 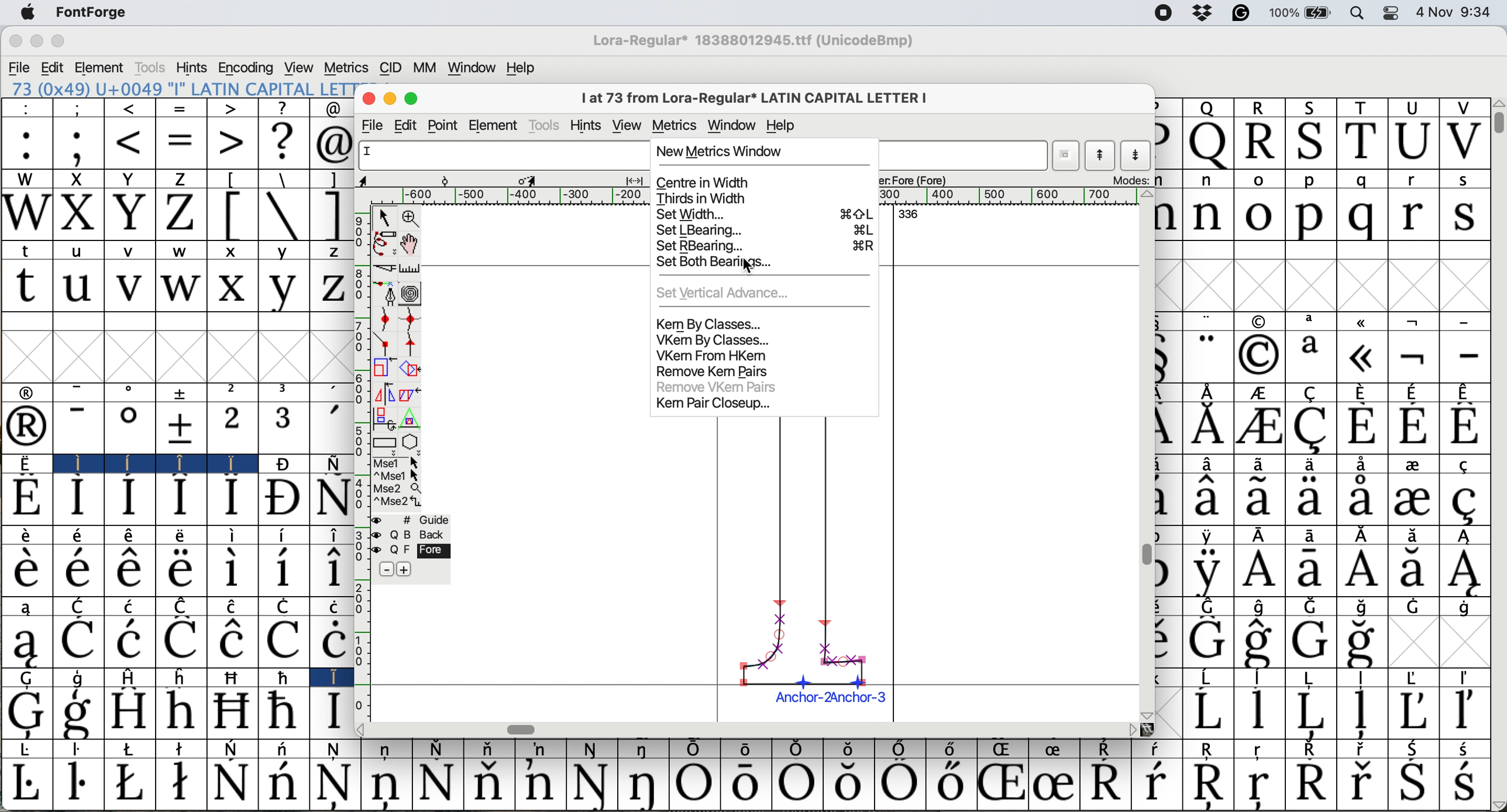 I want to click on Symbol, so click(x=232, y=498).